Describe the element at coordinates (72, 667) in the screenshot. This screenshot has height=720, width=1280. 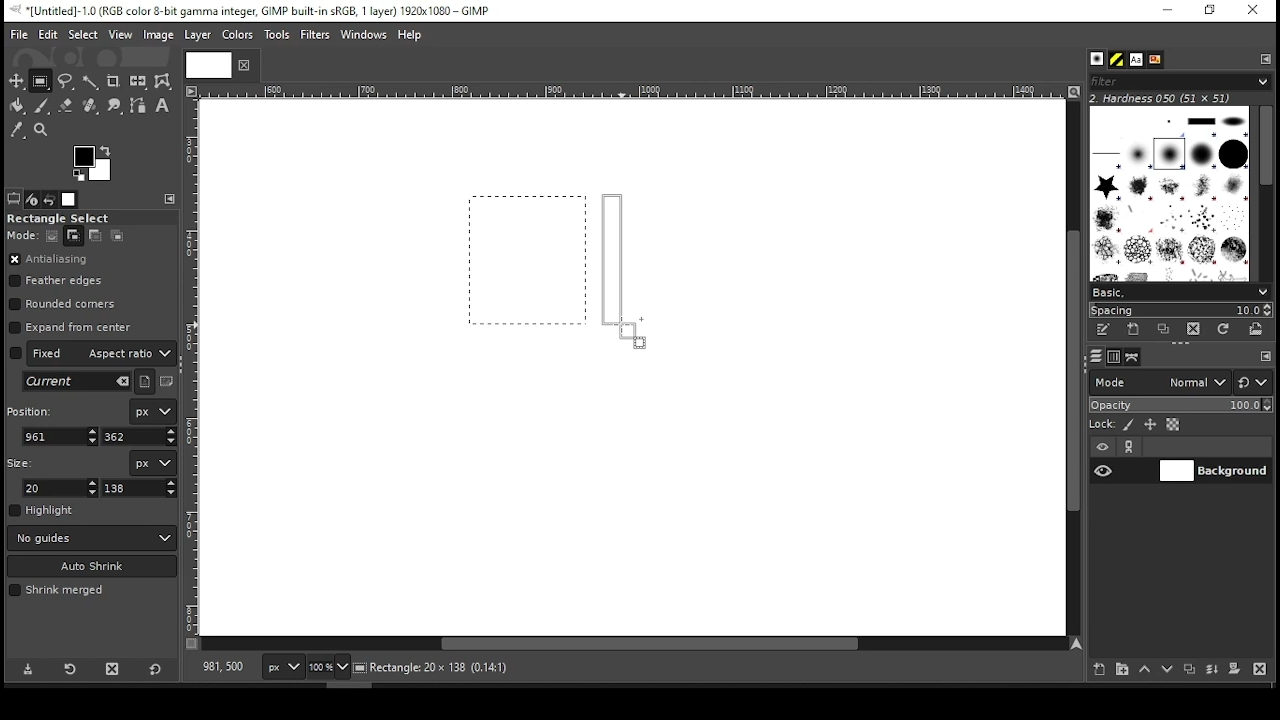
I see `restore tool preset` at that location.